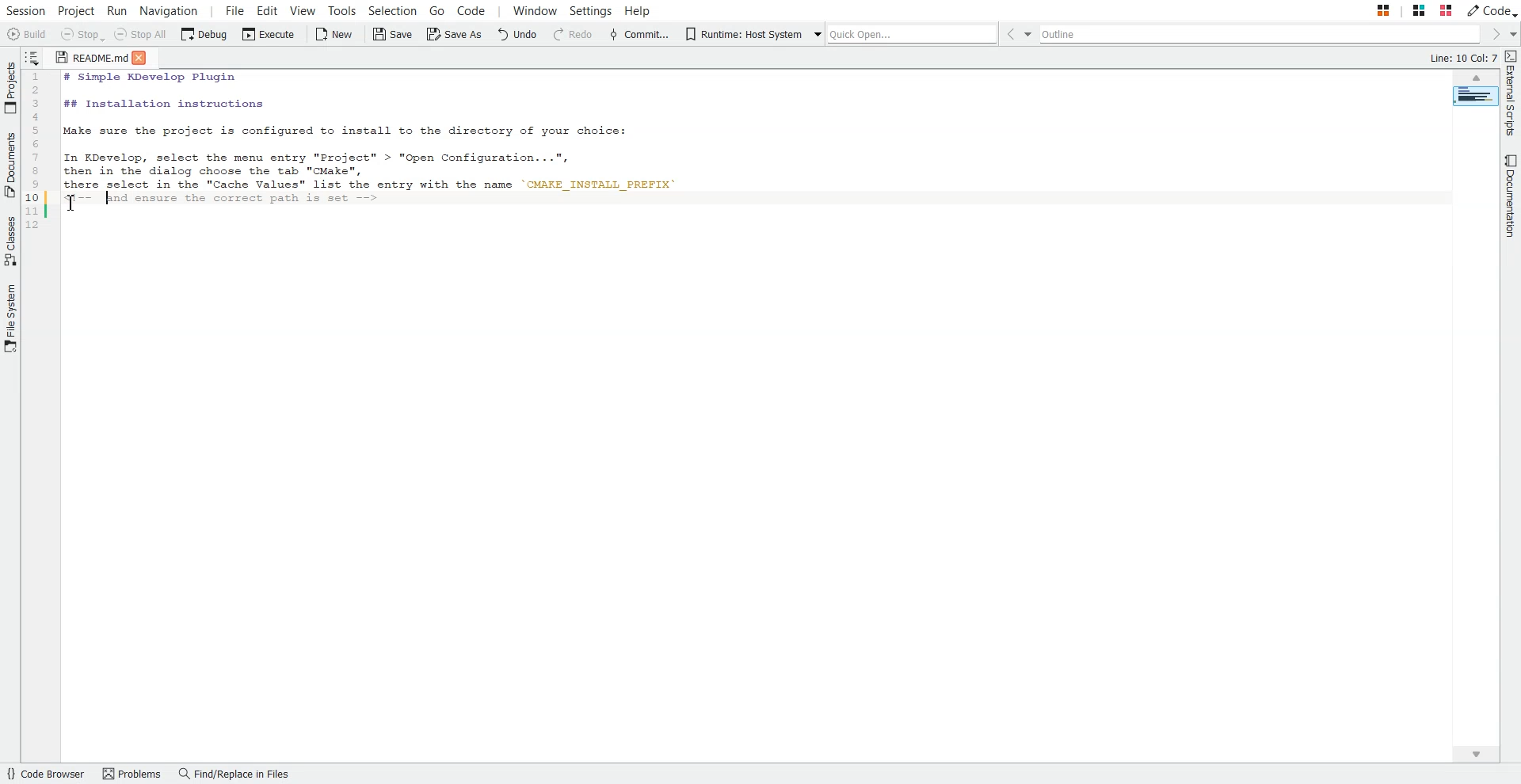 This screenshot has width=1521, height=784. Describe the element at coordinates (10, 319) in the screenshot. I see `File System` at that location.